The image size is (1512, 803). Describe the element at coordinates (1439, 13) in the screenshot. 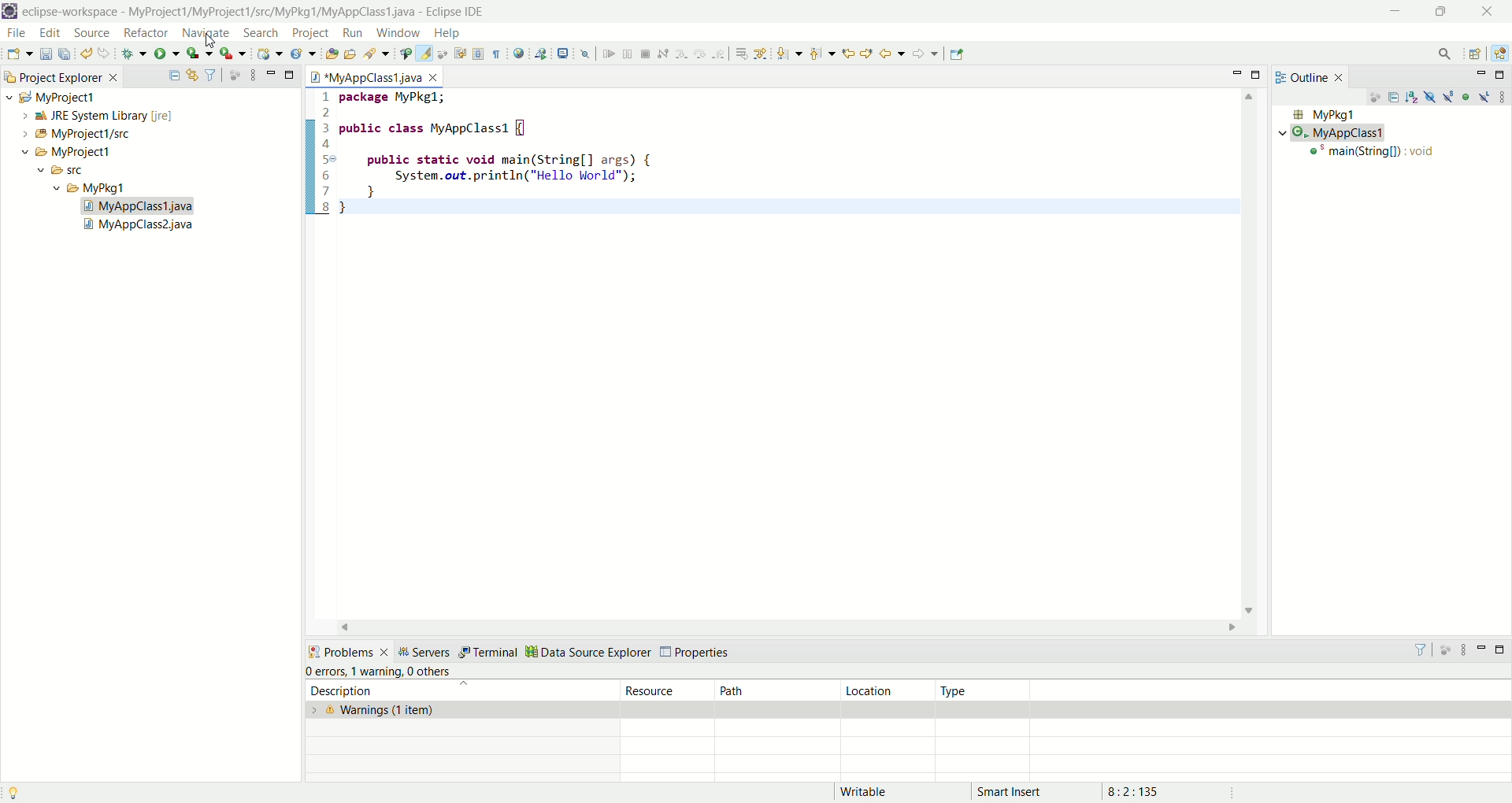

I see `maximize` at that location.